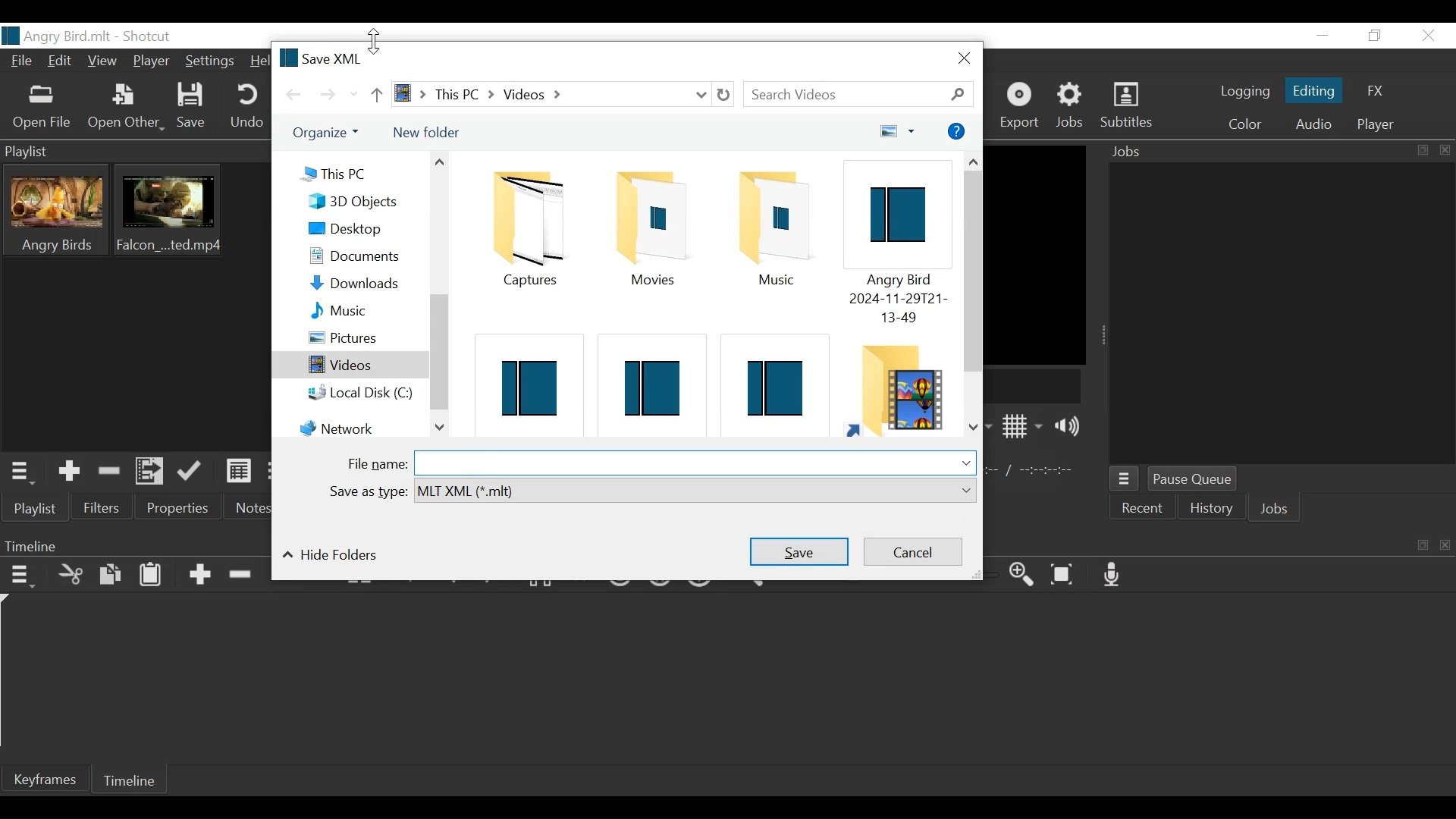  I want to click on Cut, so click(71, 575).